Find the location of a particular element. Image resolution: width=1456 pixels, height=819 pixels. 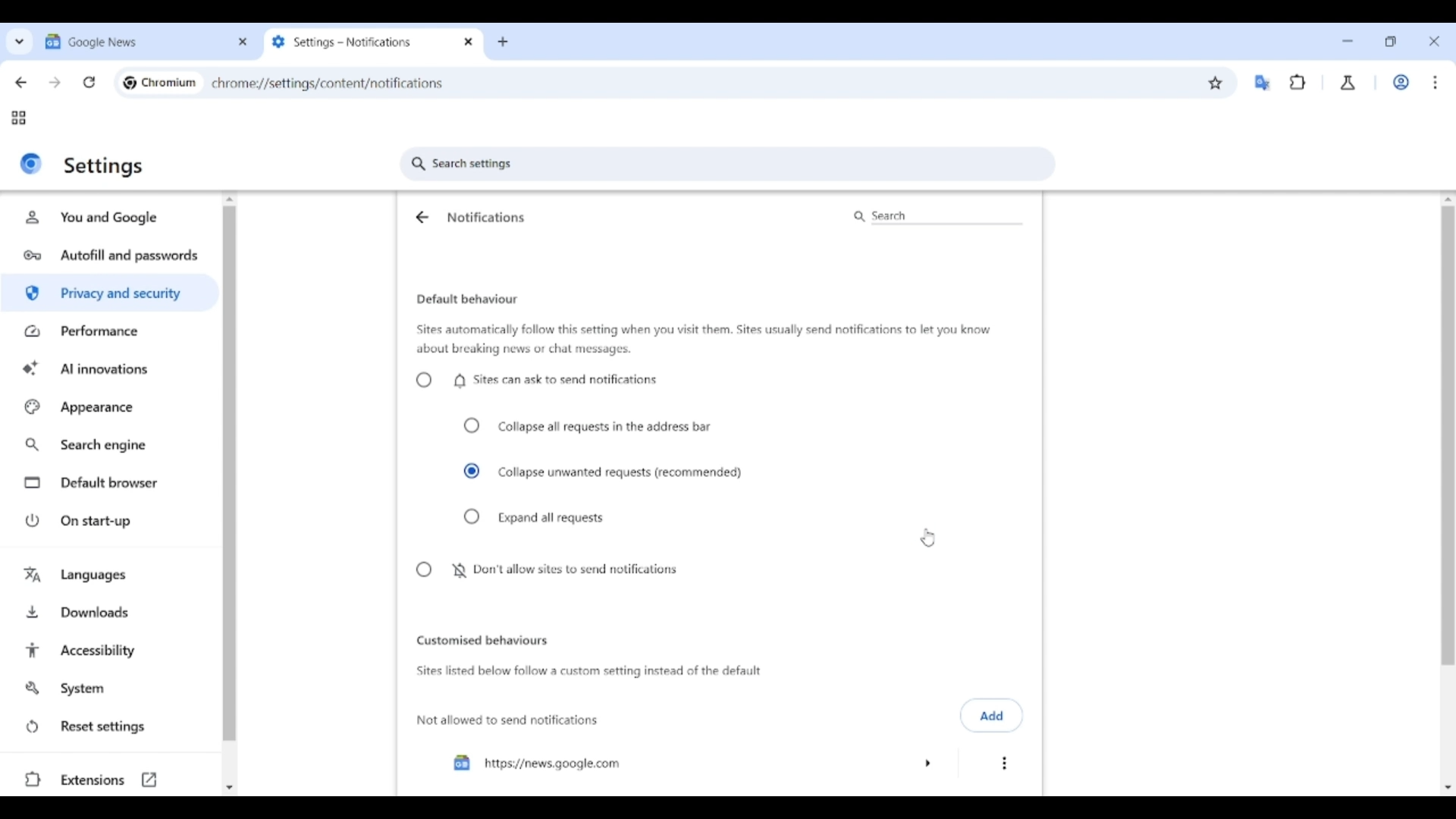

Performance  is located at coordinates (109, 331).